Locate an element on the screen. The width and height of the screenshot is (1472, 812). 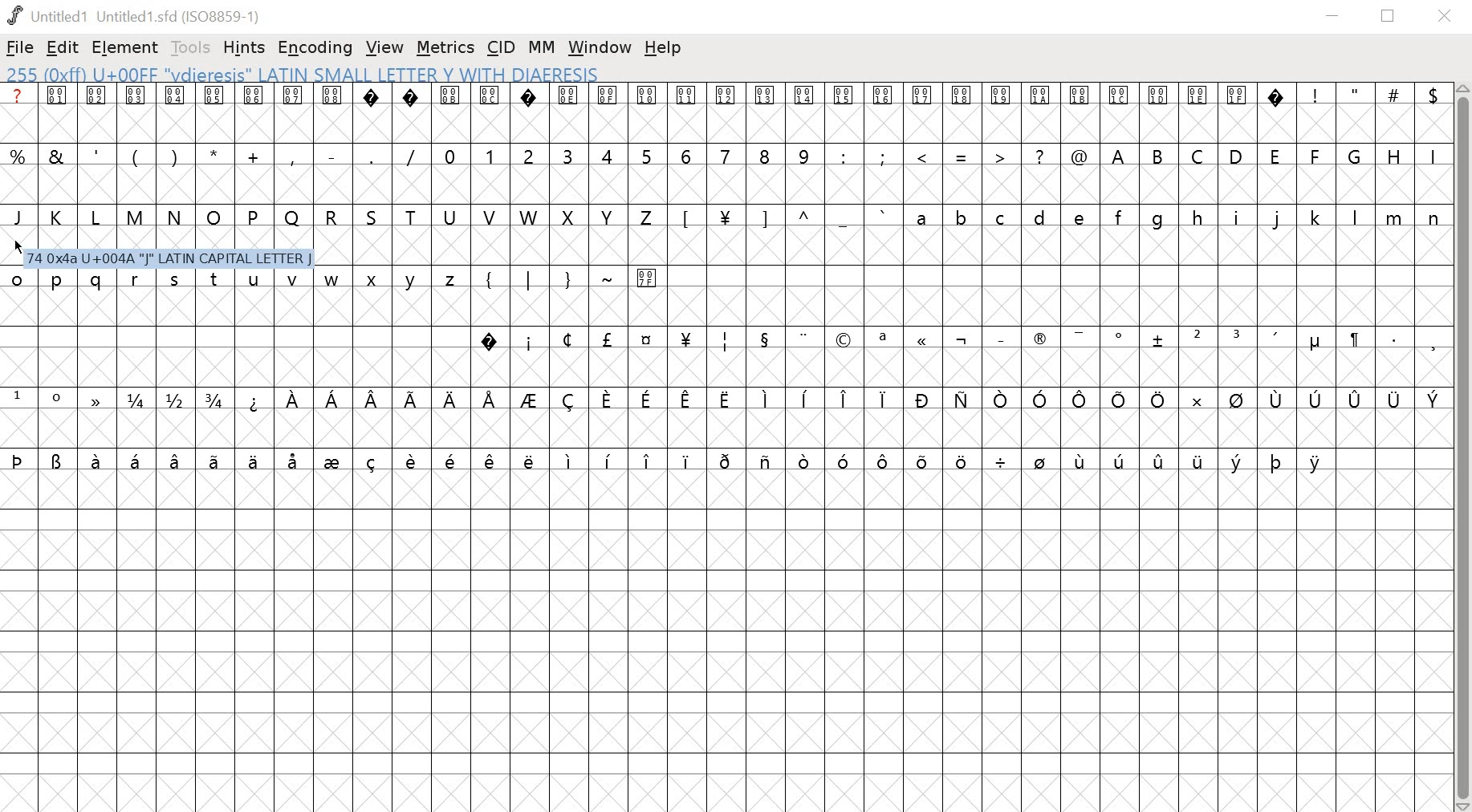
CID is located at coordinates (502, 47).